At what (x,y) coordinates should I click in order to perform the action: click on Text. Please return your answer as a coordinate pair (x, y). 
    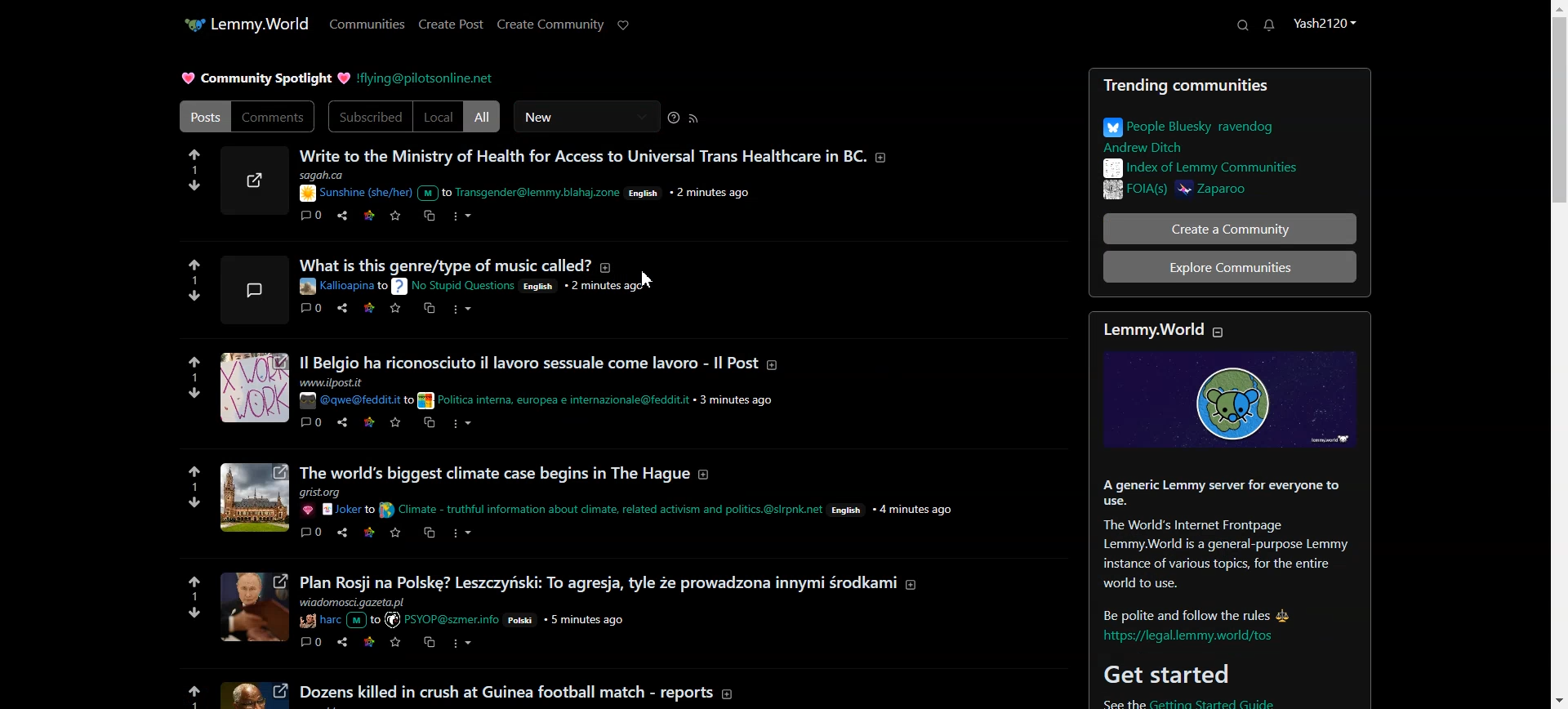
    Looking at the image, I should click on (1219, 547).